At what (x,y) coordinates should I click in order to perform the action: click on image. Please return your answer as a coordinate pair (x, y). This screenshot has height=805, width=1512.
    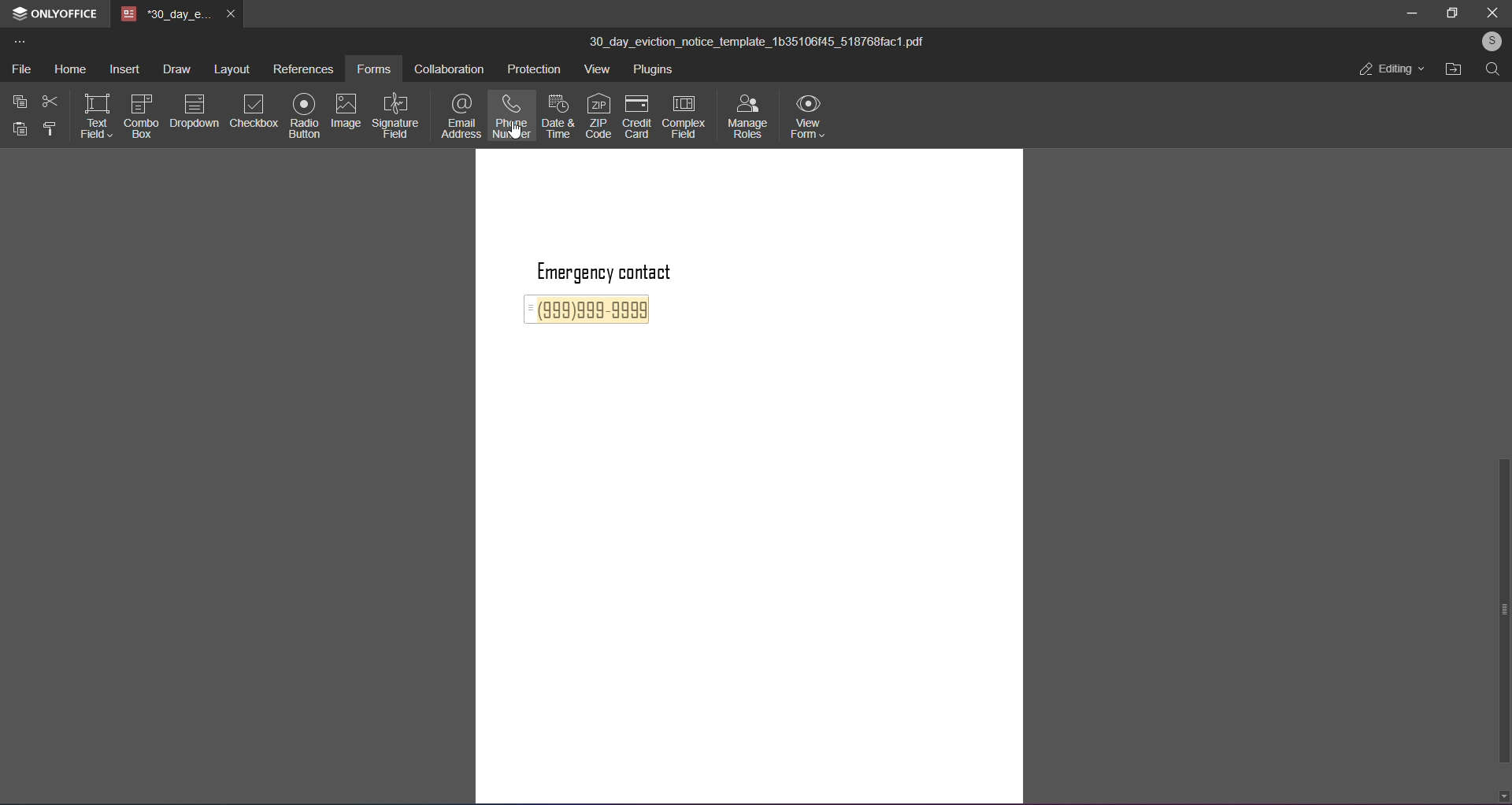
    Looking at the image, I should click on (348, 112).